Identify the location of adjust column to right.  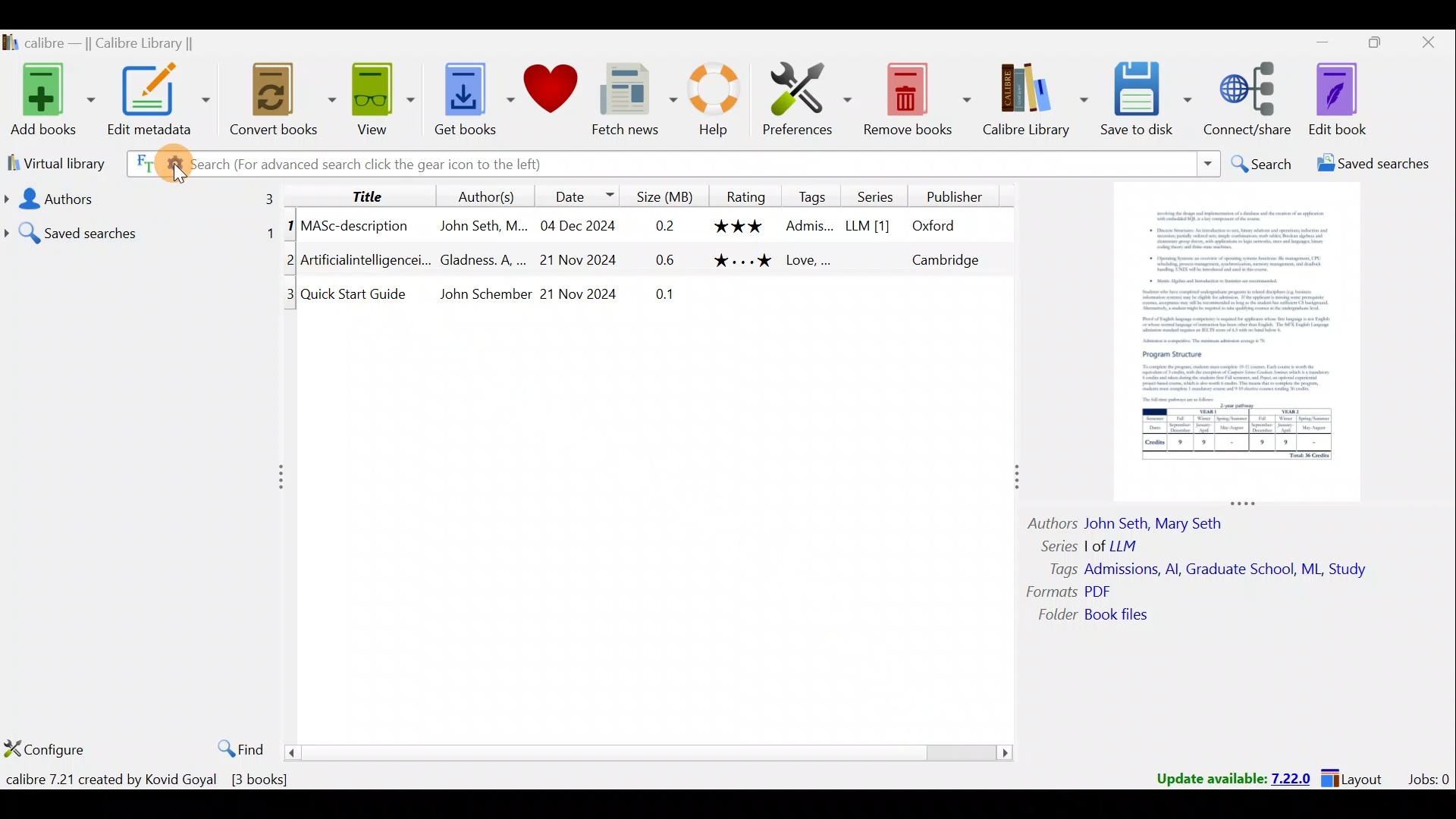
(1015, 481).